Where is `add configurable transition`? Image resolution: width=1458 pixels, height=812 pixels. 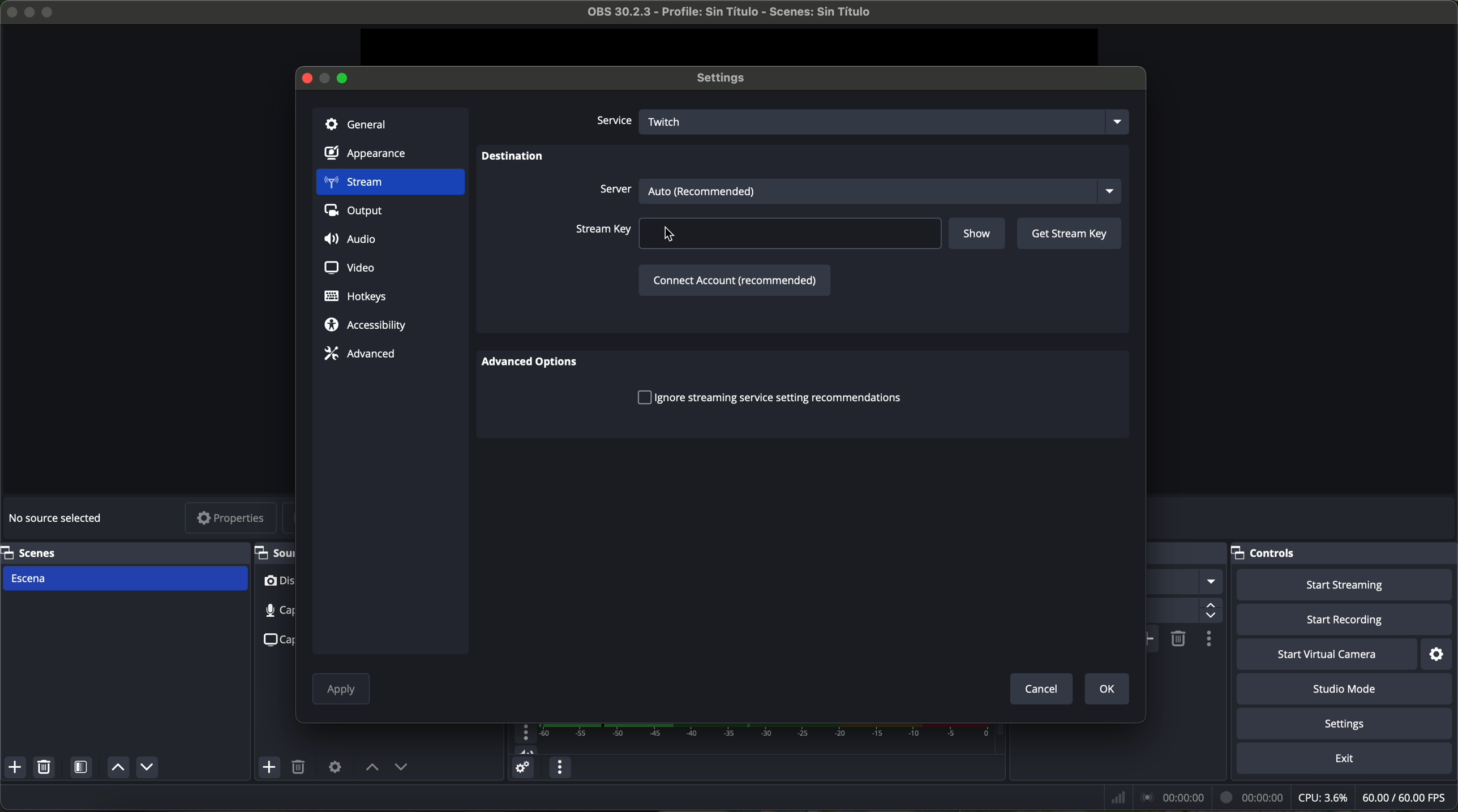
add configurable transition is located at coordinates (1153, 639).